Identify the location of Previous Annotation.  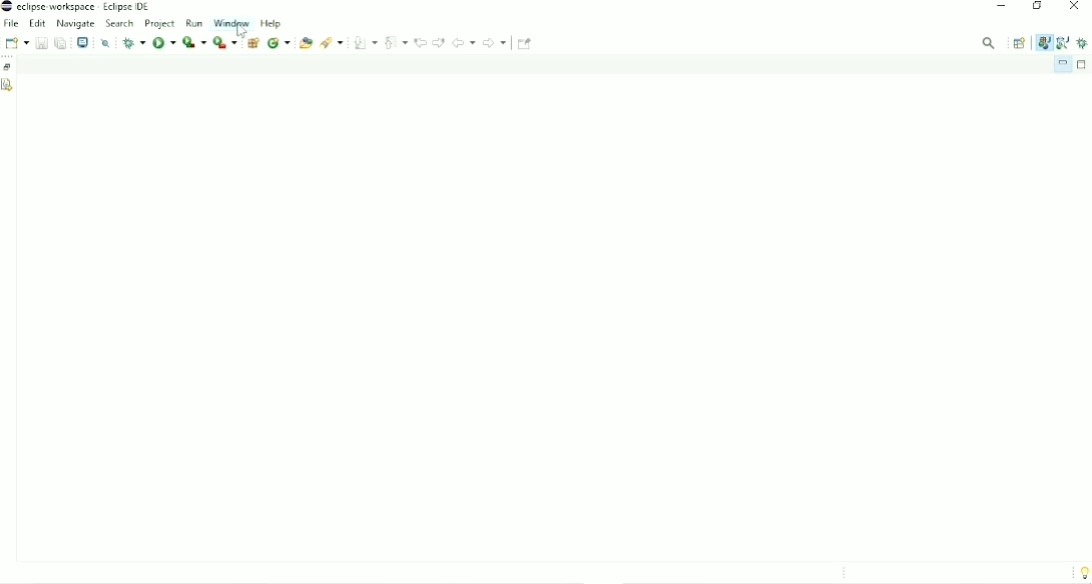
(397, 41).